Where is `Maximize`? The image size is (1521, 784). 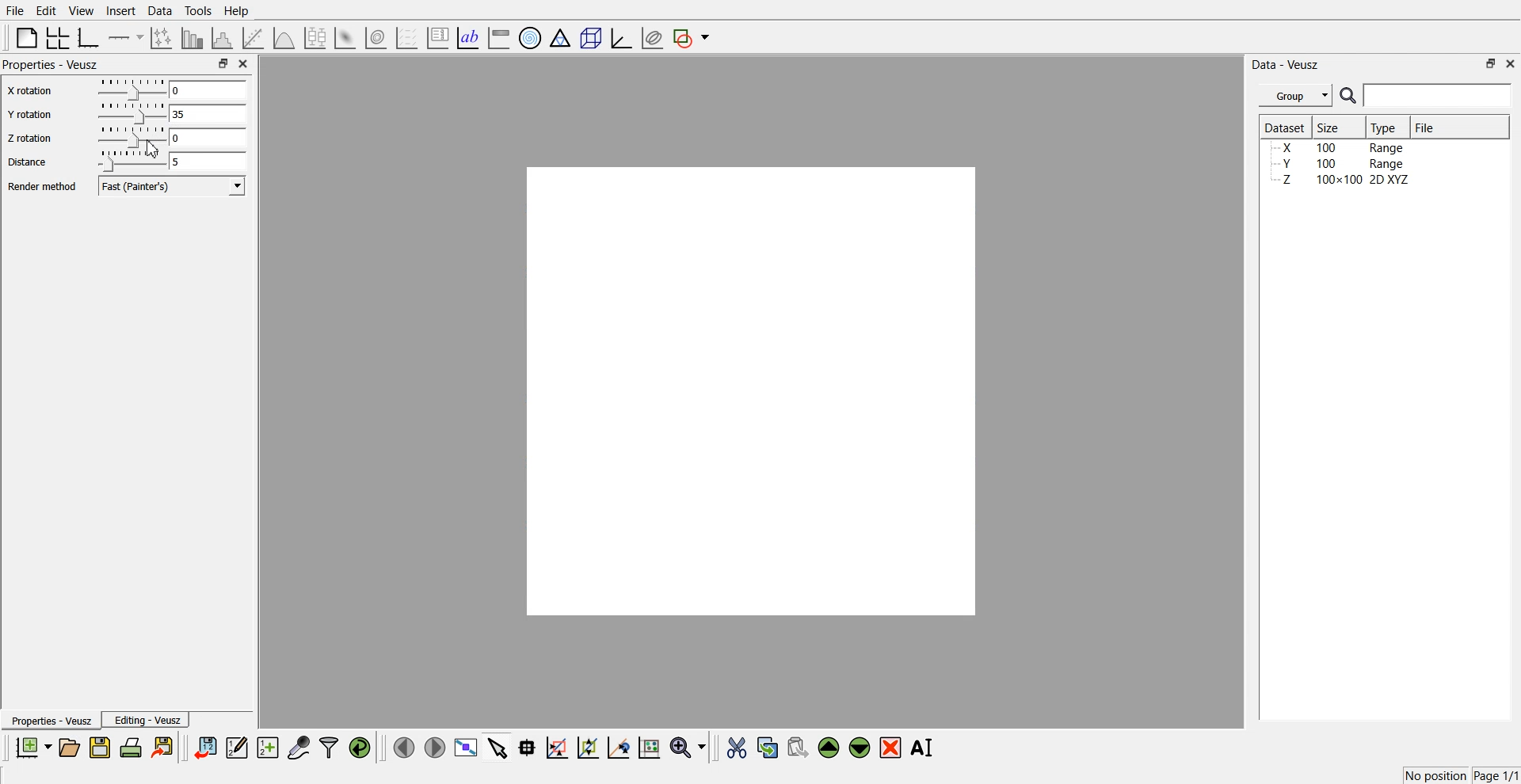 Maximize is located at coordinates (223, 63).